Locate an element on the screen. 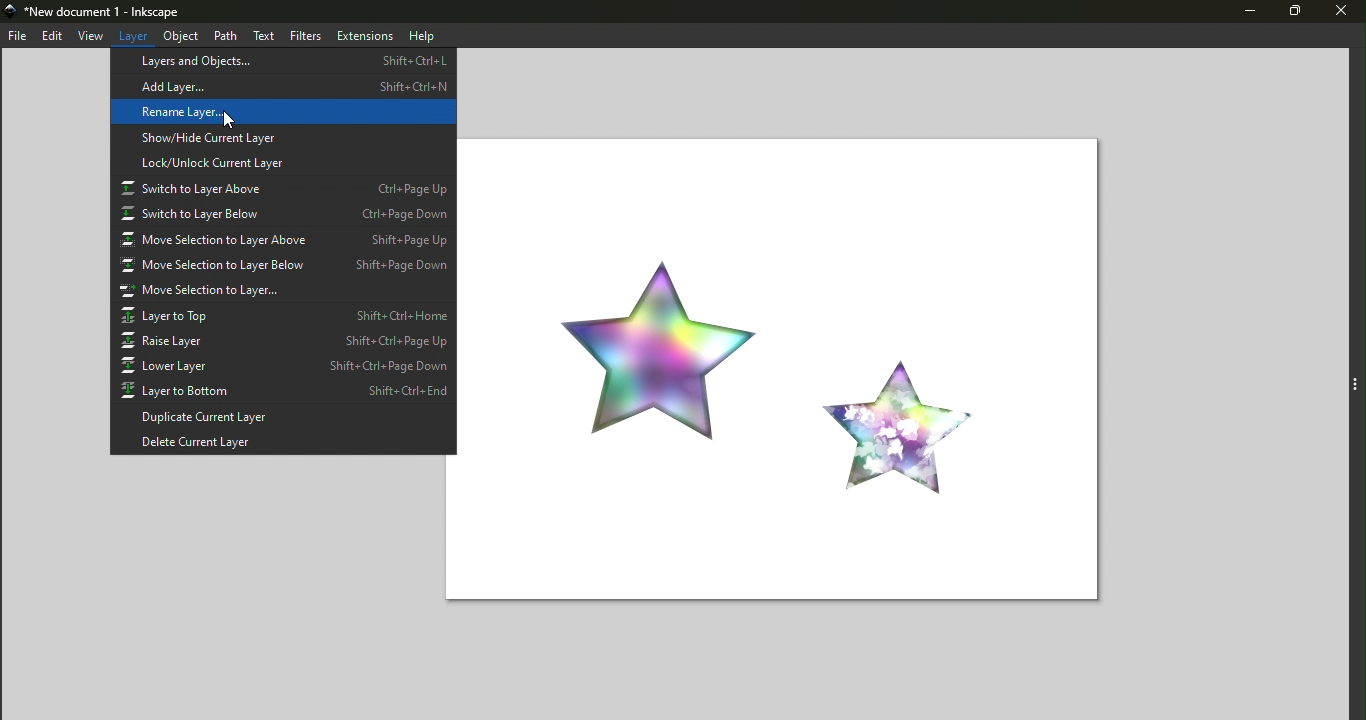 The image size is (1366, 720). path is located at coordinates (225, 34).